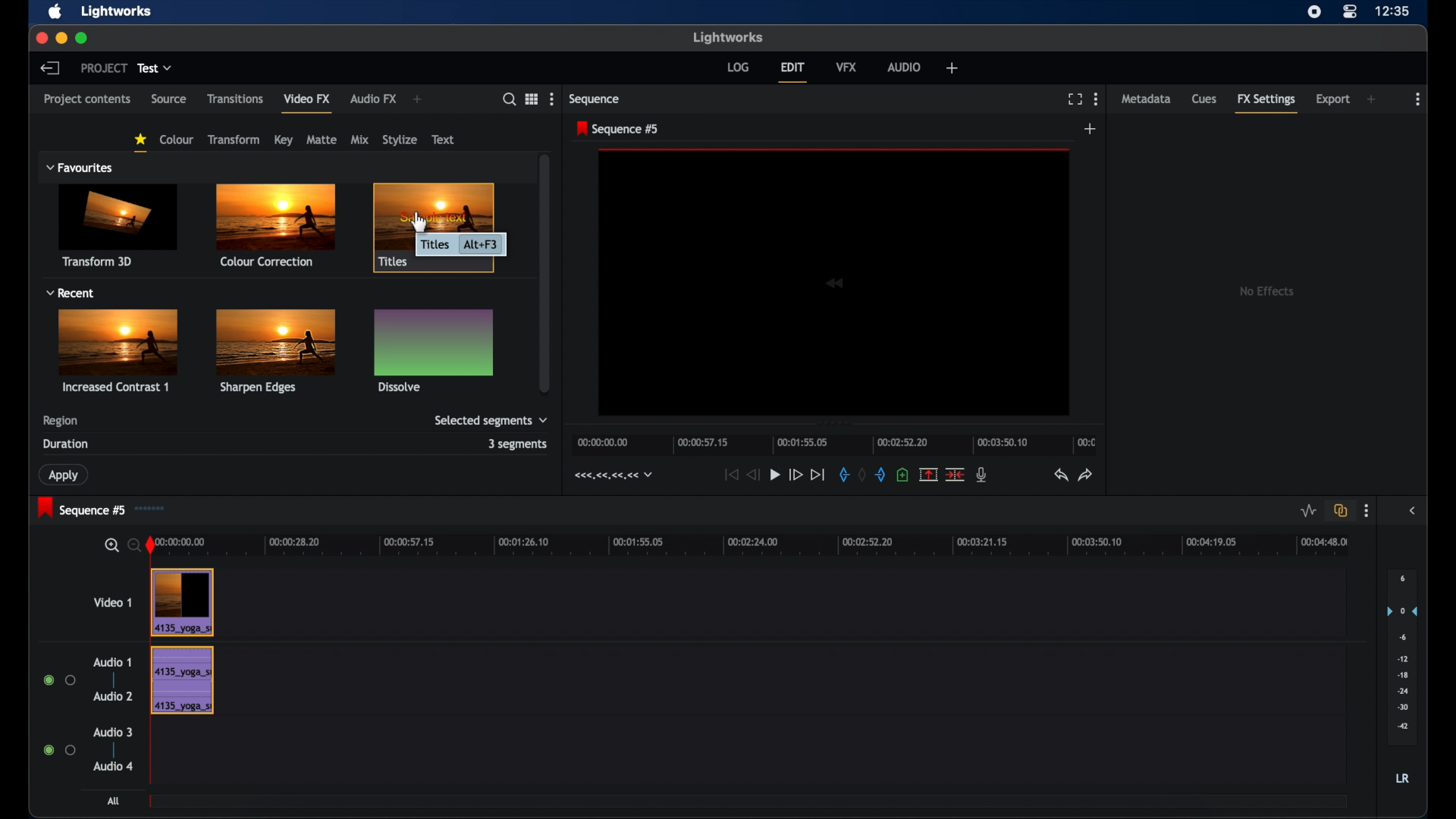 This screenshot has width=1456, height=819. I want to click on add, so click(1373, 99).